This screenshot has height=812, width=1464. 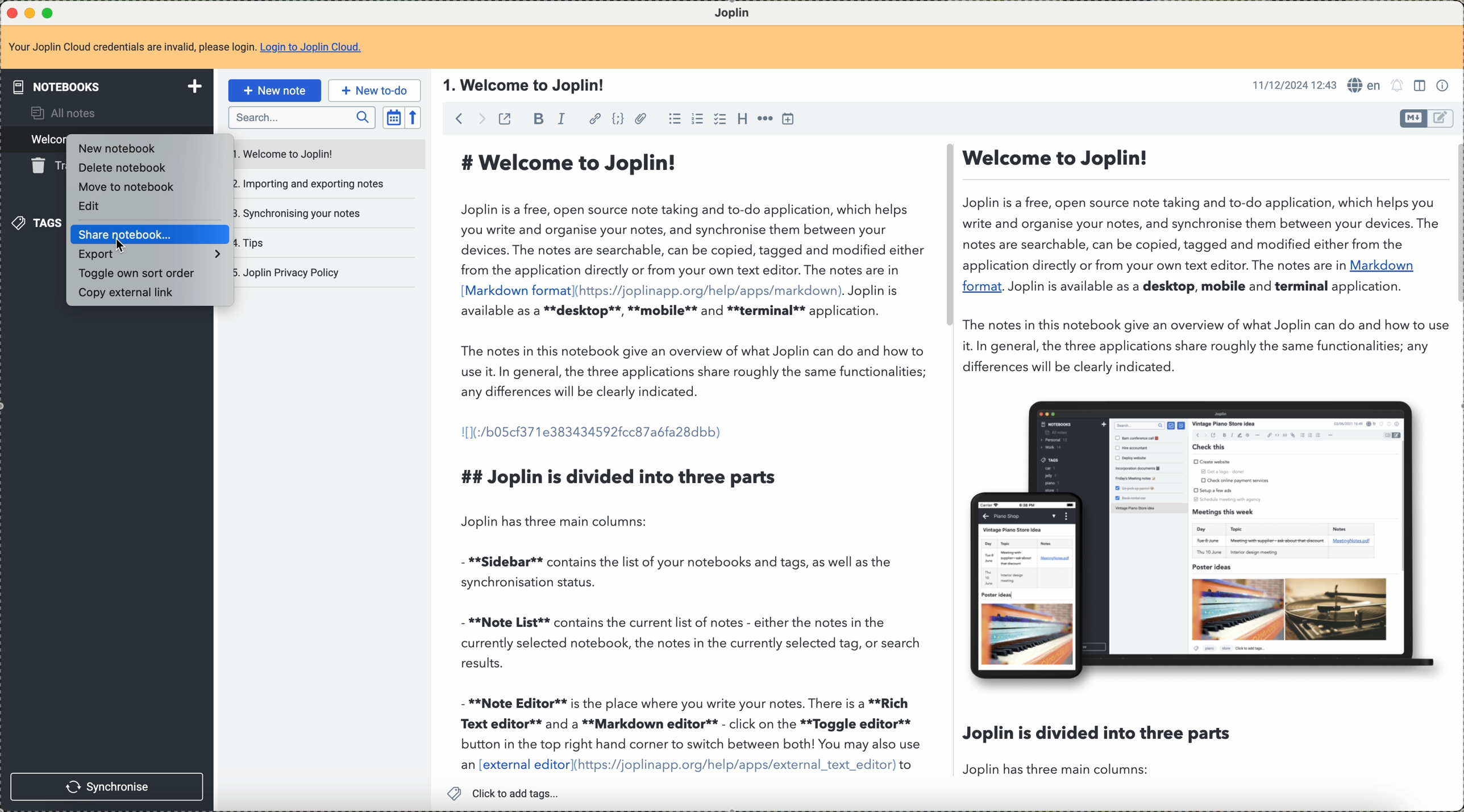 What do you see at coordinates (257, 241) in the screenshot?
I see `tips` at bounding box center [257, 241].